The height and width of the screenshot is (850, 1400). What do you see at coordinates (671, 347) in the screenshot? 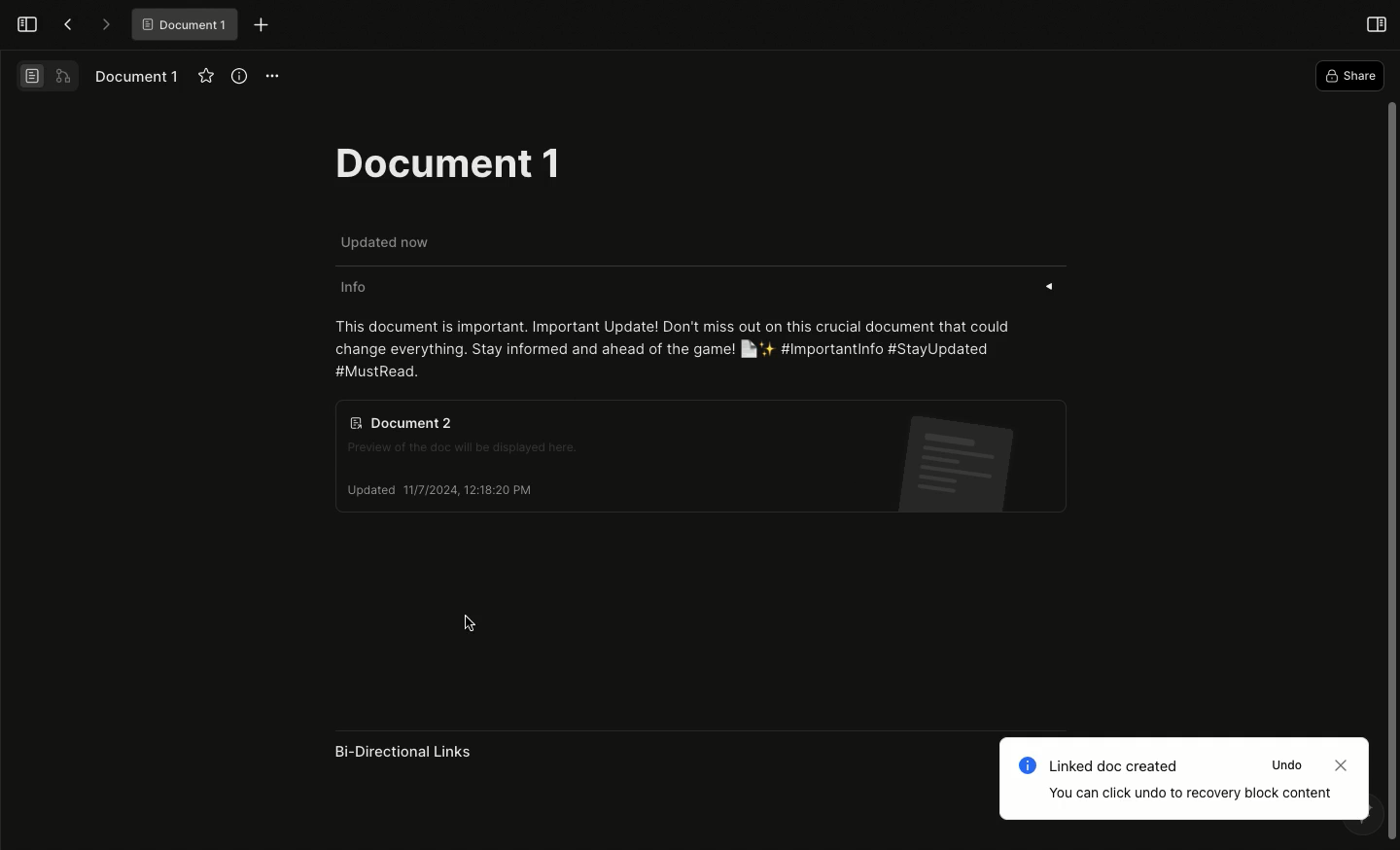
I see `This document is important. Important Update! Don't miss out on this crucial document that could
change everything. Stay informed and ahead of the game! [la + #Importantinfo #StayUpdated
#MustRead.` at bounding box center [671, 347].